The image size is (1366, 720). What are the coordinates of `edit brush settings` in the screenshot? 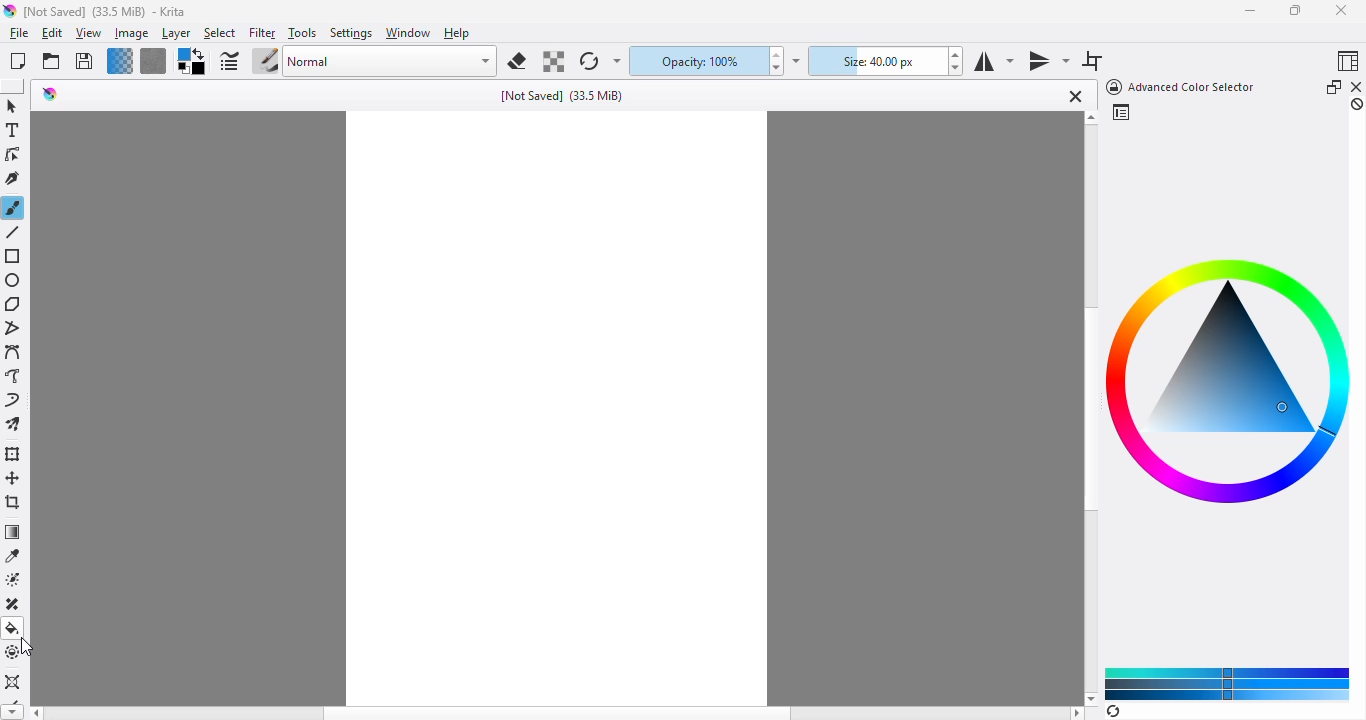 It's located at (228, 61).